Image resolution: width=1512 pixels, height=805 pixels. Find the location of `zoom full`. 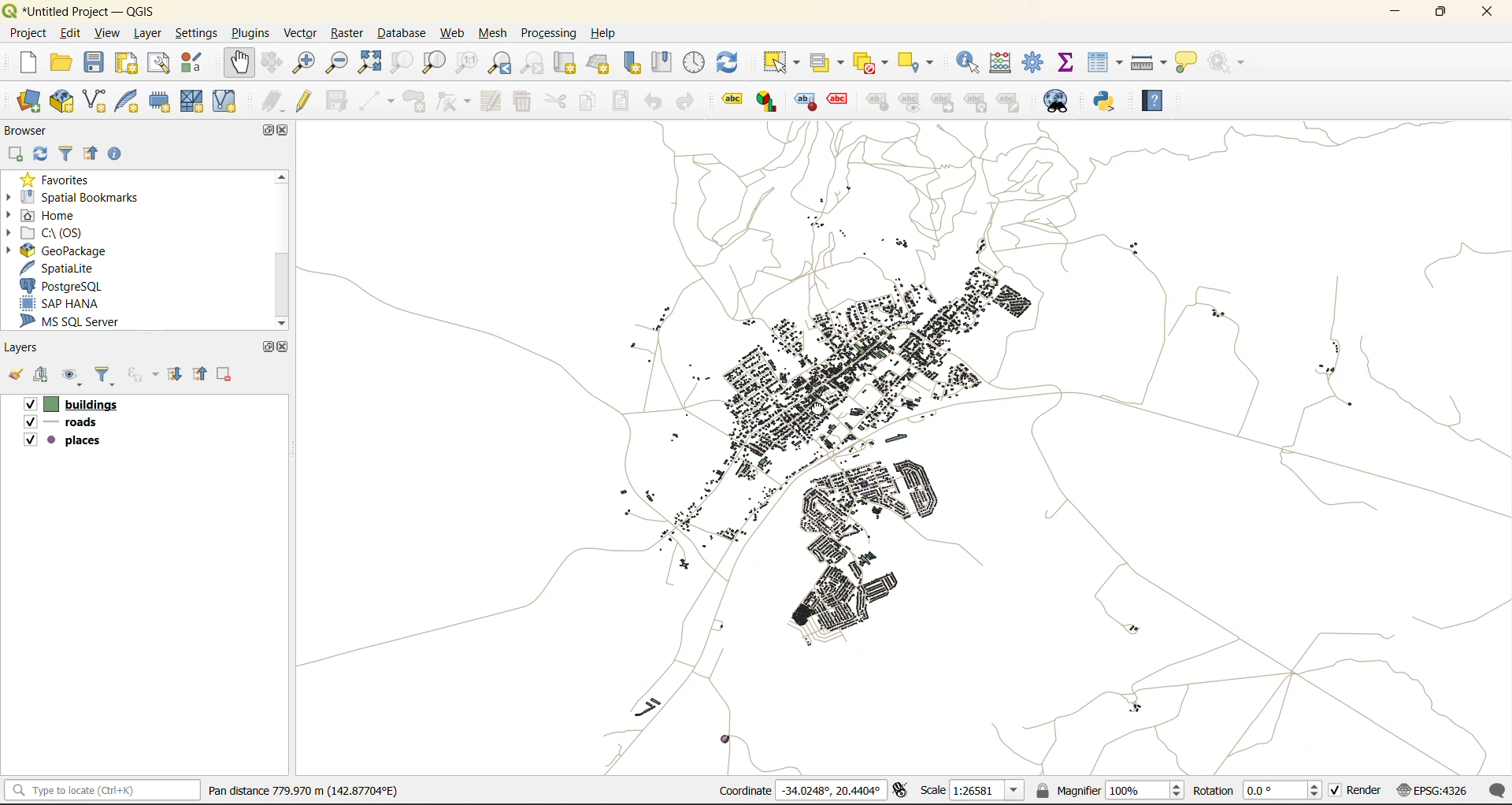

zoom full is located at coordinates (372, 63).